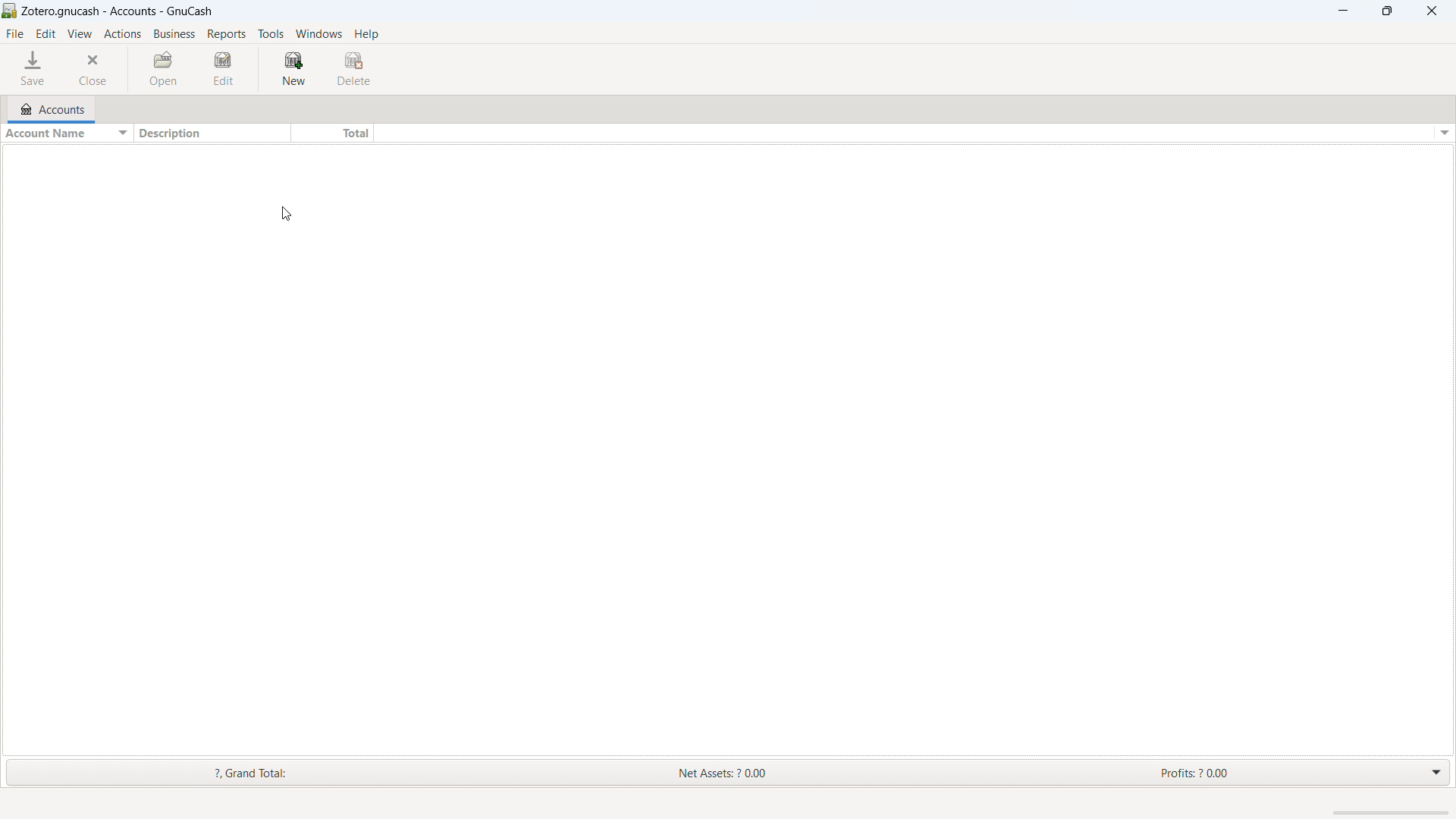 This screenshot has width=1456, height=819. I want to click on reports, so click(227, 34).